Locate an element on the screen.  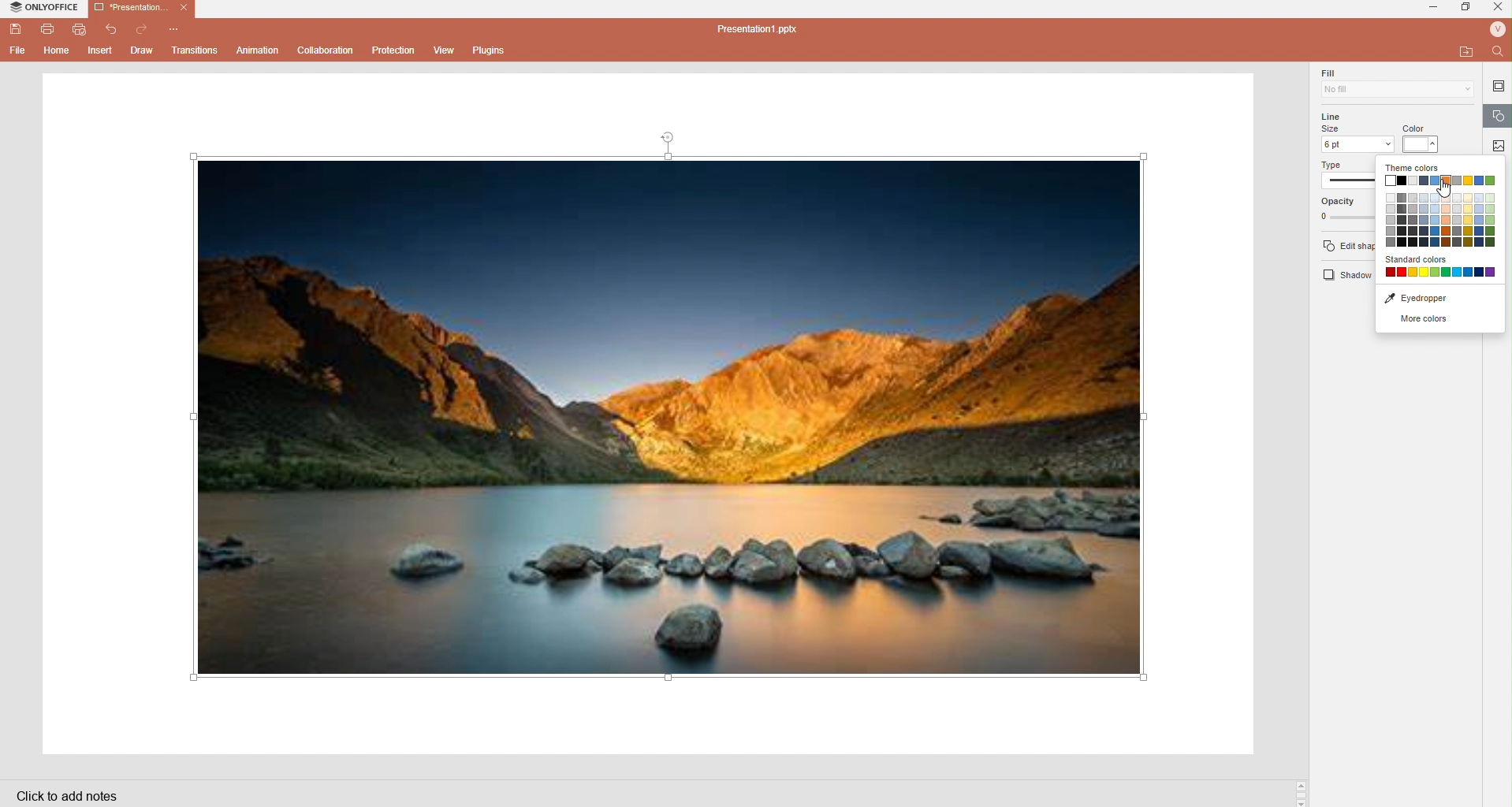
Image is located at coordinates (678, 418).